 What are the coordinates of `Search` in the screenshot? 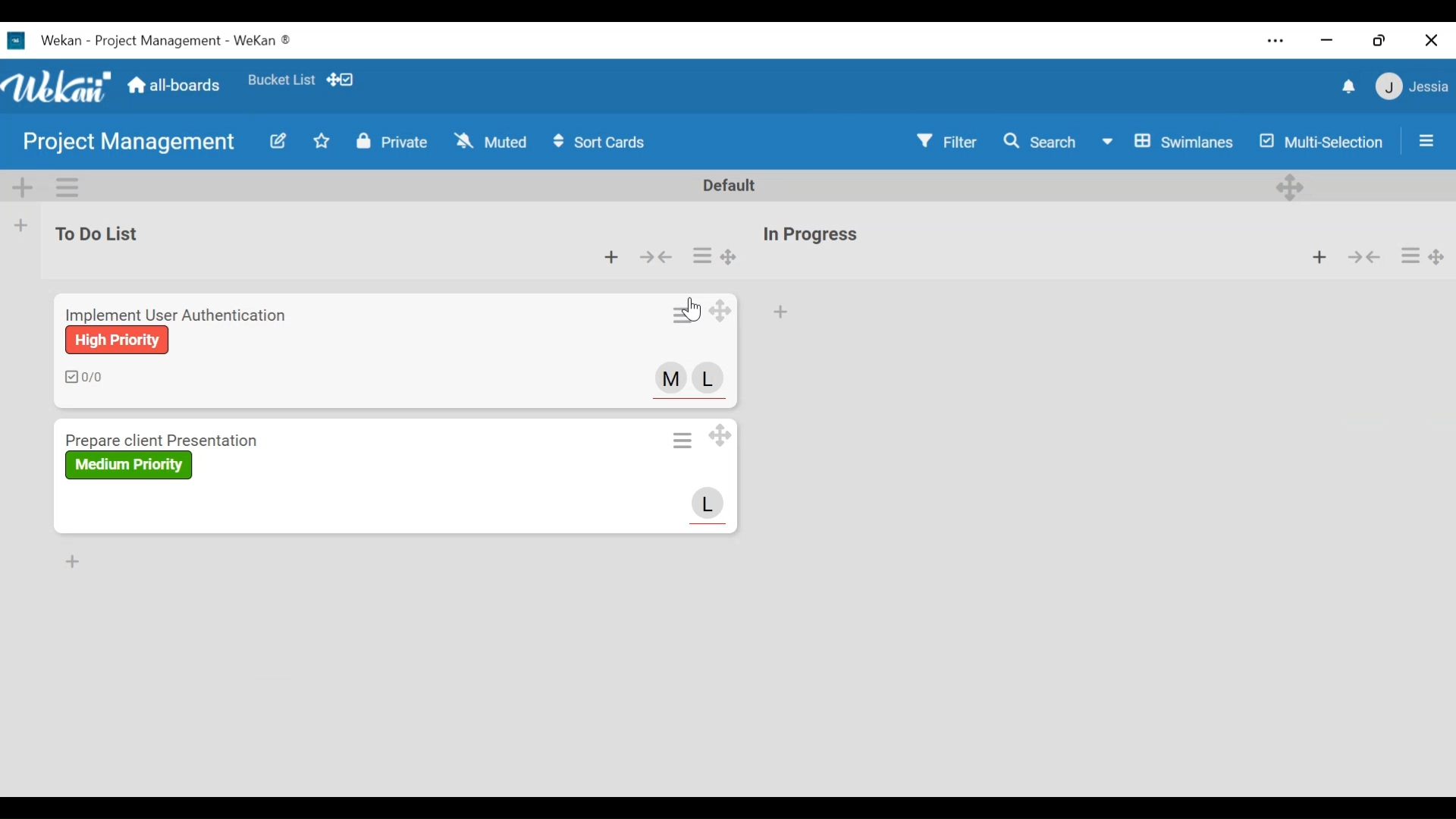 It's located at (1038, 143).